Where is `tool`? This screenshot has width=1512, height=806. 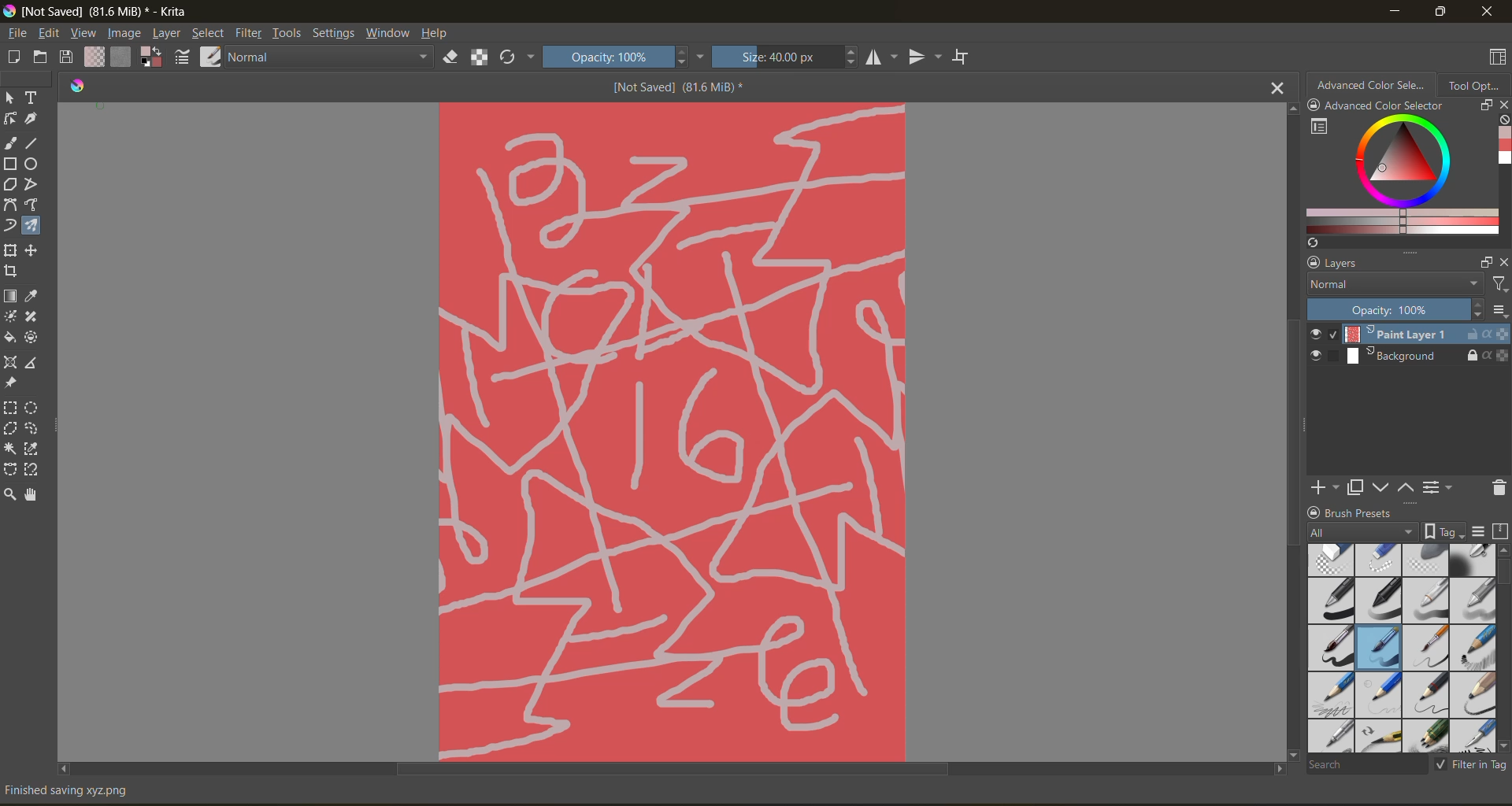
tool is located at coordinates (33, 183).